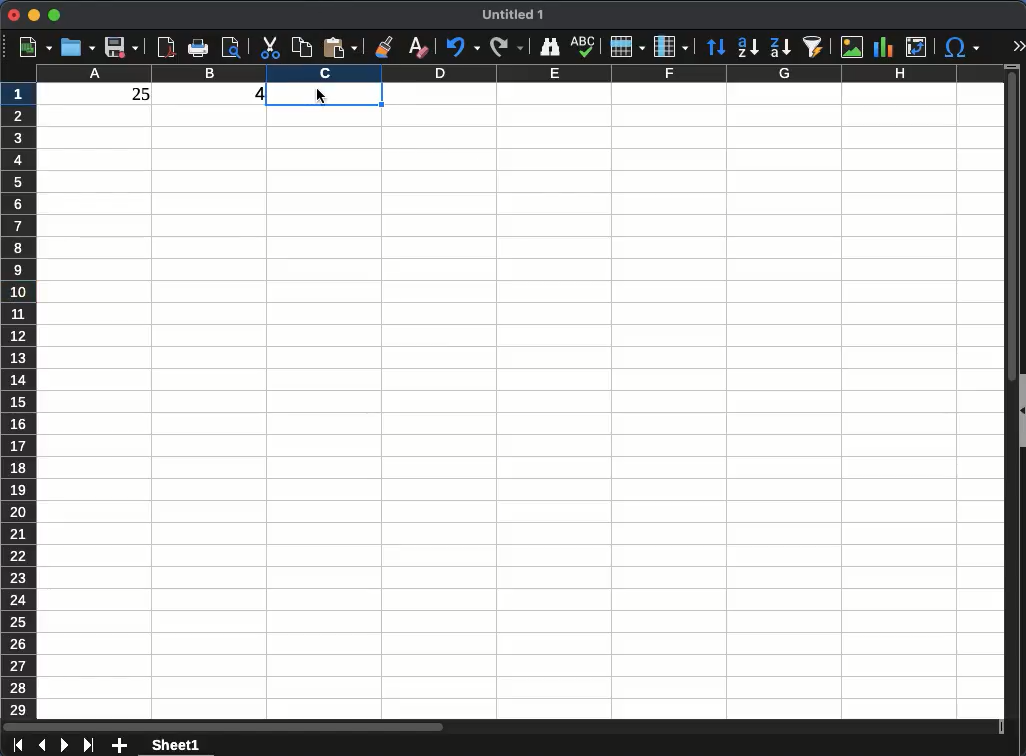 The height and width of the screenshot is (756, 1026). I want to click on expand, so click(1019, 45).